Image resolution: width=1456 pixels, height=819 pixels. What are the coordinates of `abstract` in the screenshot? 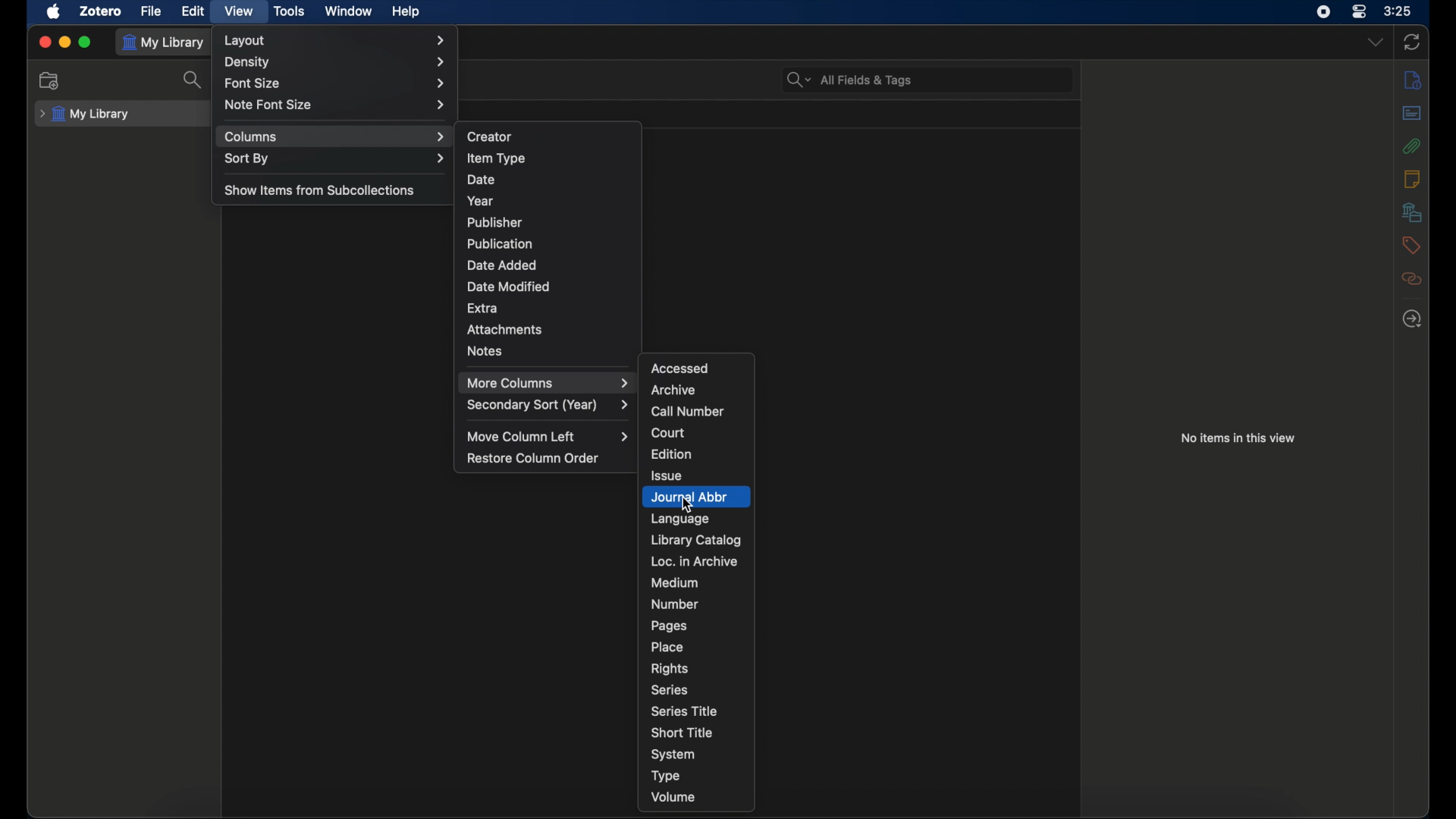 It's located at (1414, 113).